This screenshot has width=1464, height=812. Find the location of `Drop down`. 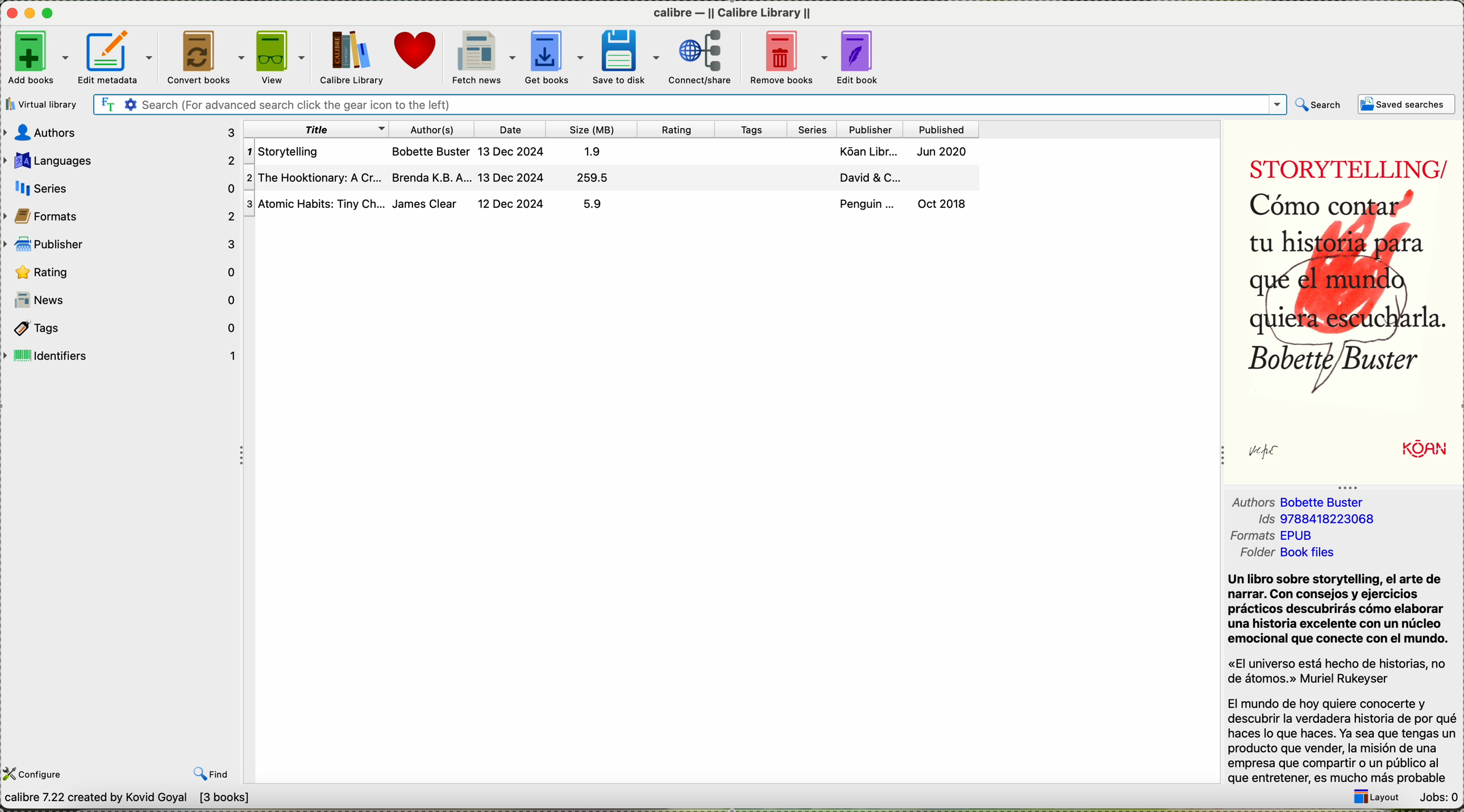

Drop down is located at coordinates (1275, 105).